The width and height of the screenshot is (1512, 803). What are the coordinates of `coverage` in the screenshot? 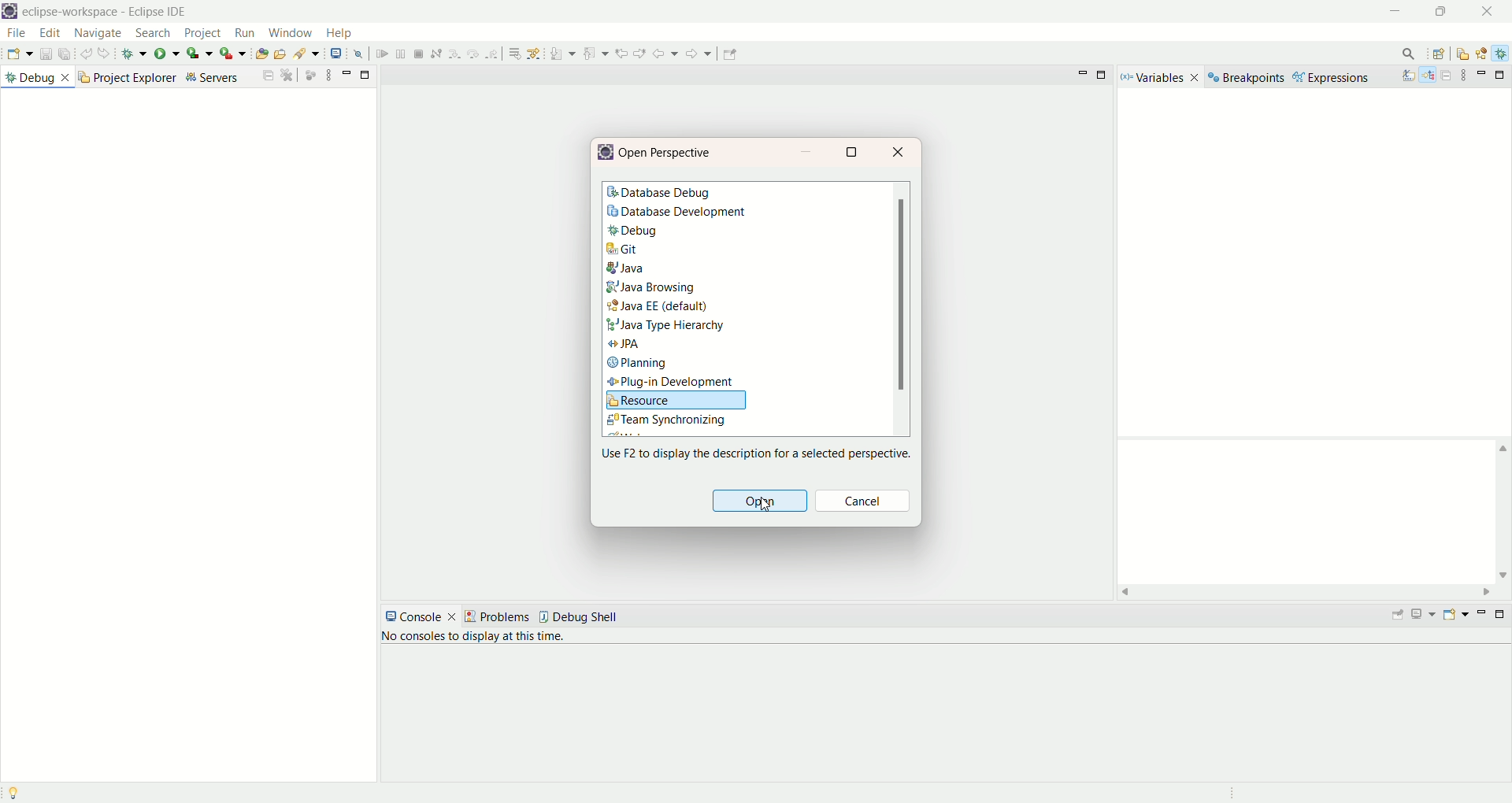 It's located at (198, 54).